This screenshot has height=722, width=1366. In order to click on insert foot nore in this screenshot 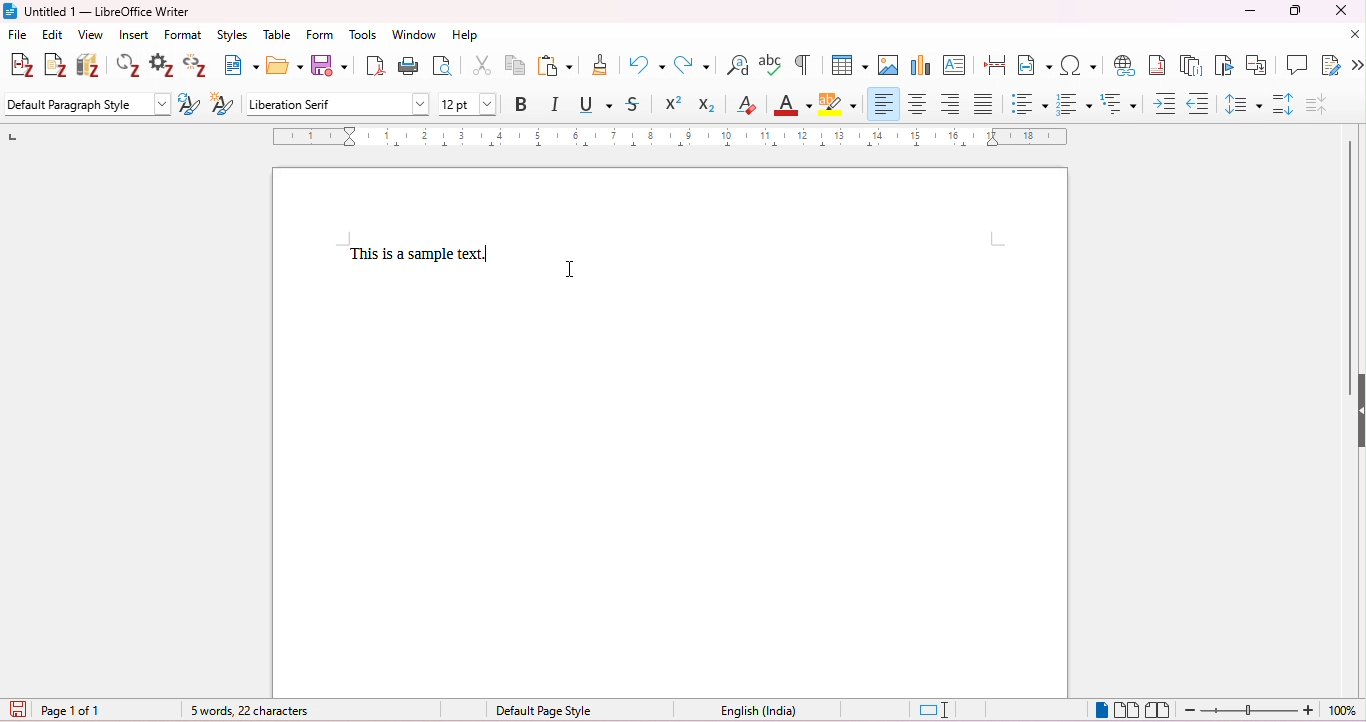, I will do `click(1159, 65)`.